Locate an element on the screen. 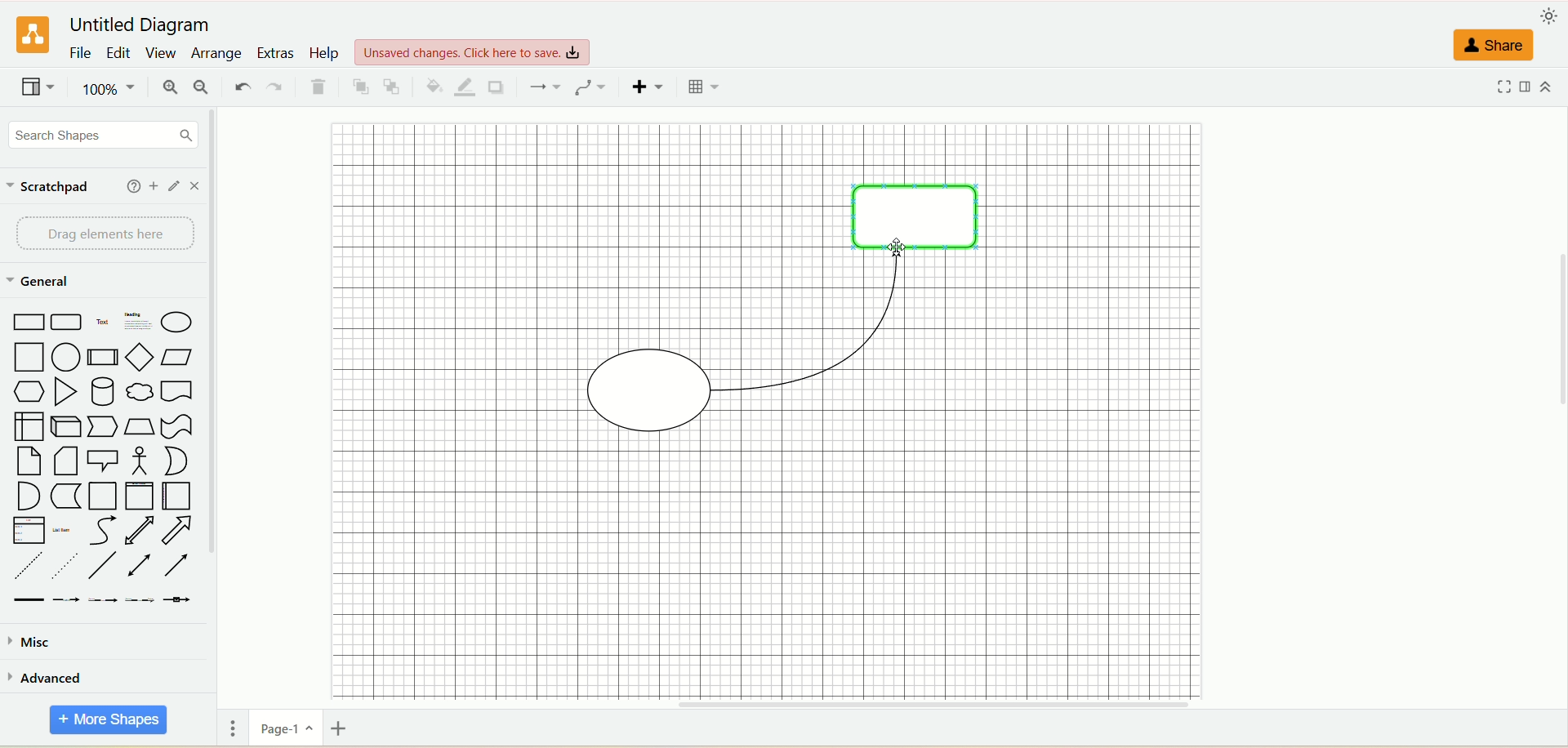 The image size is (1568, 748). table is located at coordinates (702, 87).